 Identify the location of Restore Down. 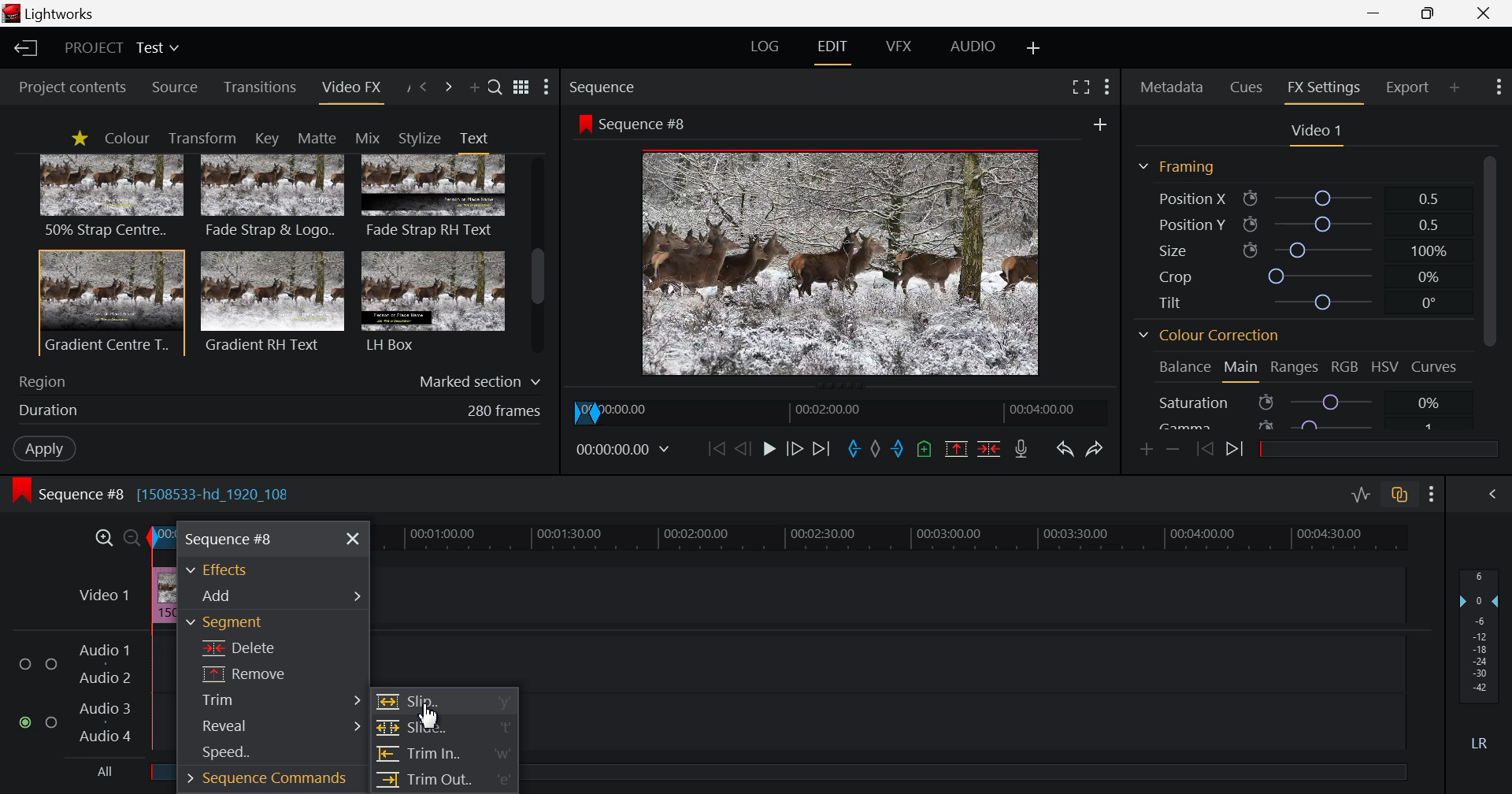
(1377, 13).